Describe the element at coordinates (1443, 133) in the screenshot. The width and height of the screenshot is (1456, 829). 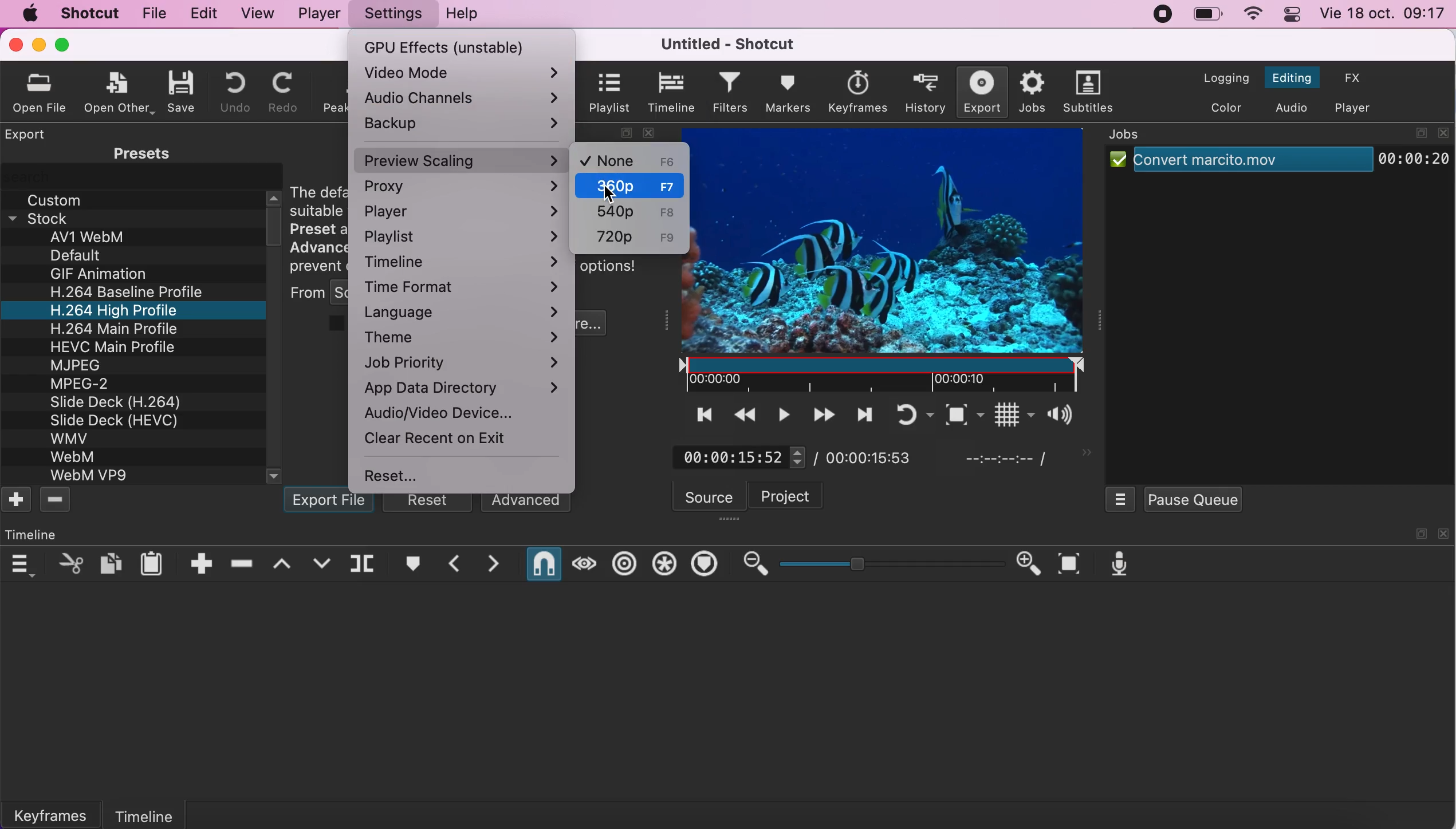
I see `close` at that location.